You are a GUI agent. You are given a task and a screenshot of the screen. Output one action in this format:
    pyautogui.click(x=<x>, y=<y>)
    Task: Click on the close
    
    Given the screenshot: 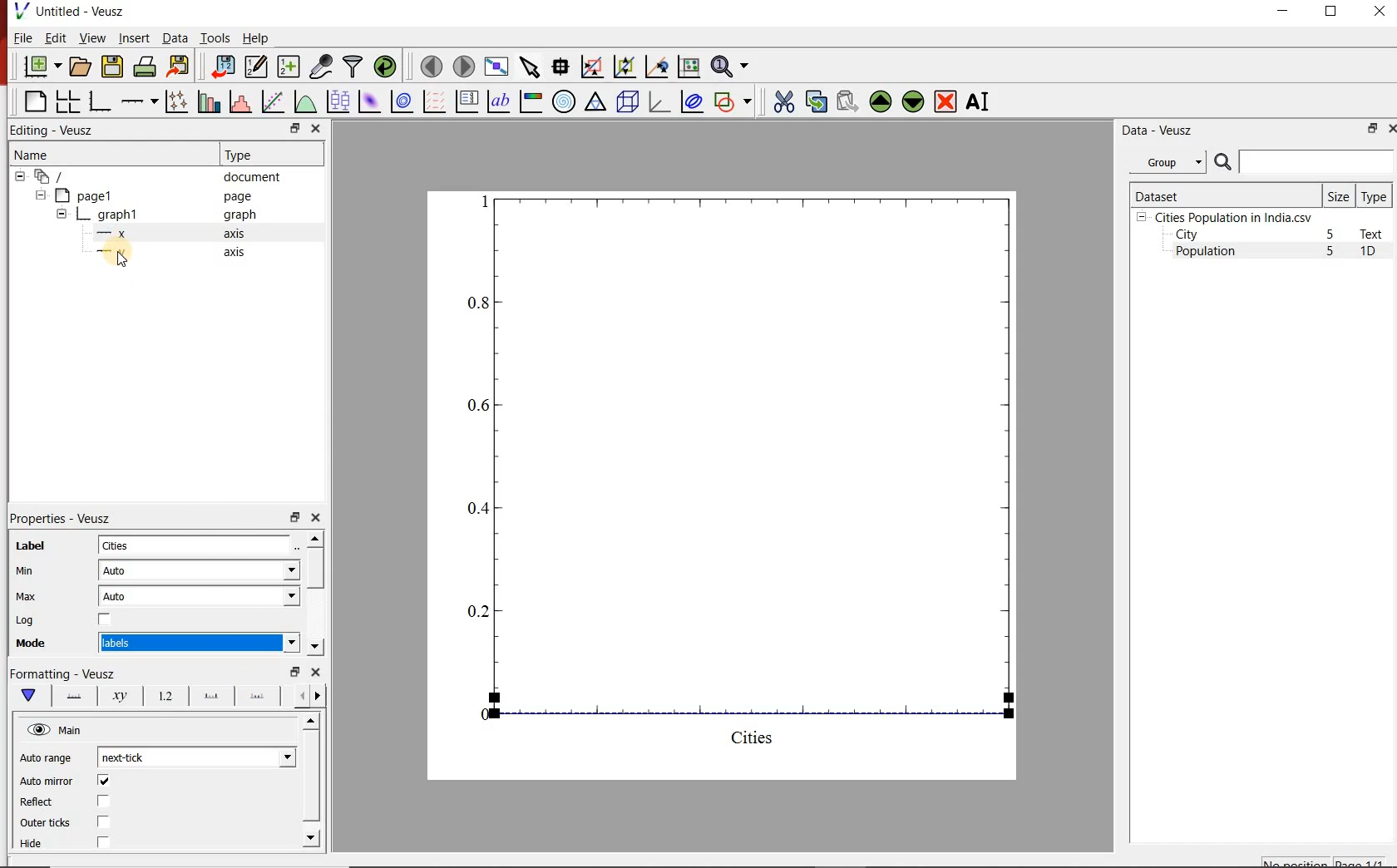 What is the action you would take?
    pyautogui.click(x=318, y=128)
    